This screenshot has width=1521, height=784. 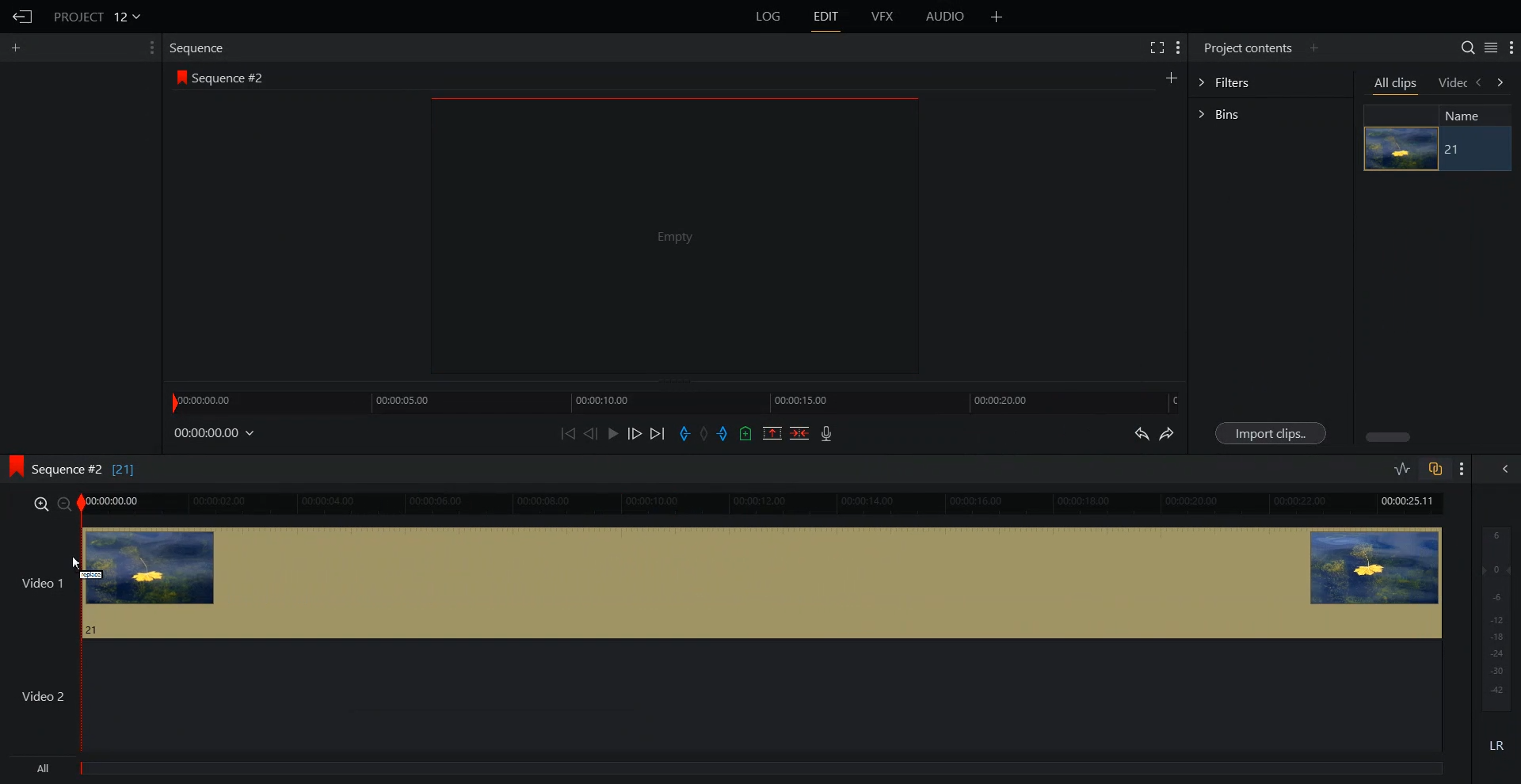 What do you see at coordinates (216, 432) in the screenshot?
I see `00:00:00.00 ` at bounding box center [216, 432].